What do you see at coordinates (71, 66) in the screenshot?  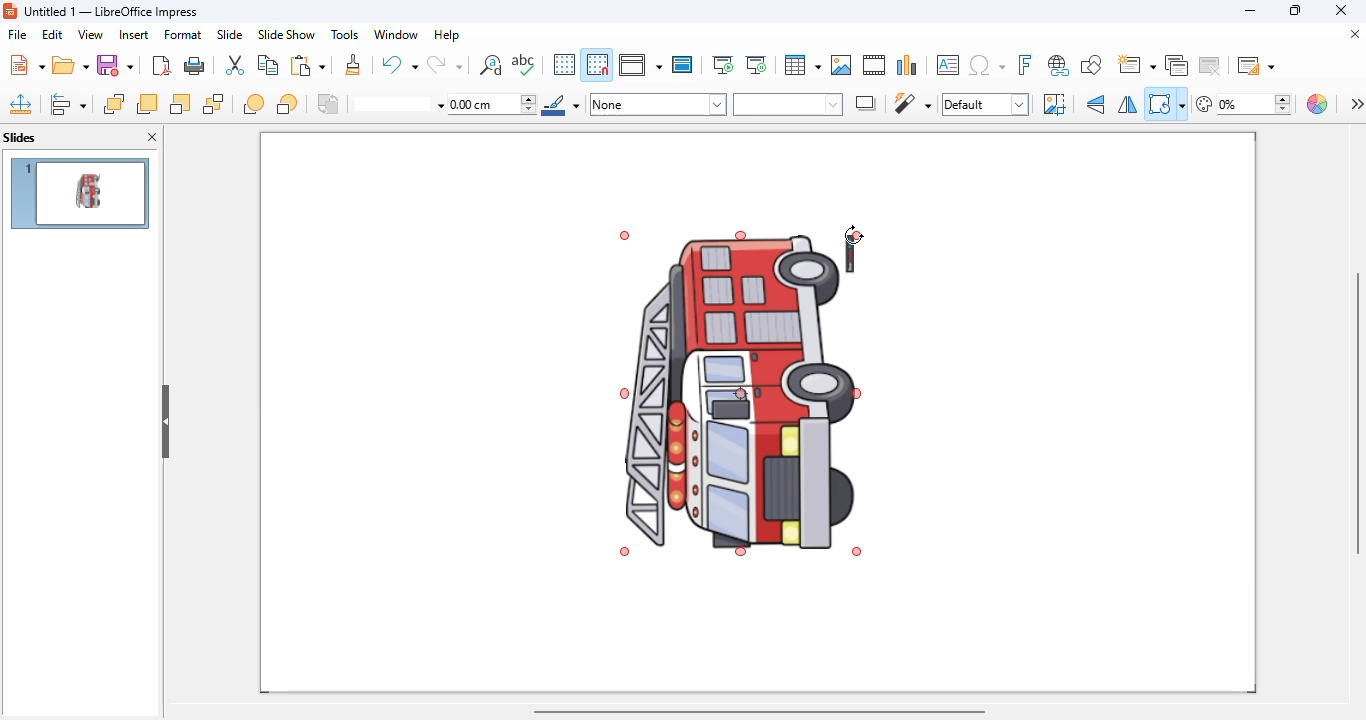 I see `open` at bounding box center [71, 66].